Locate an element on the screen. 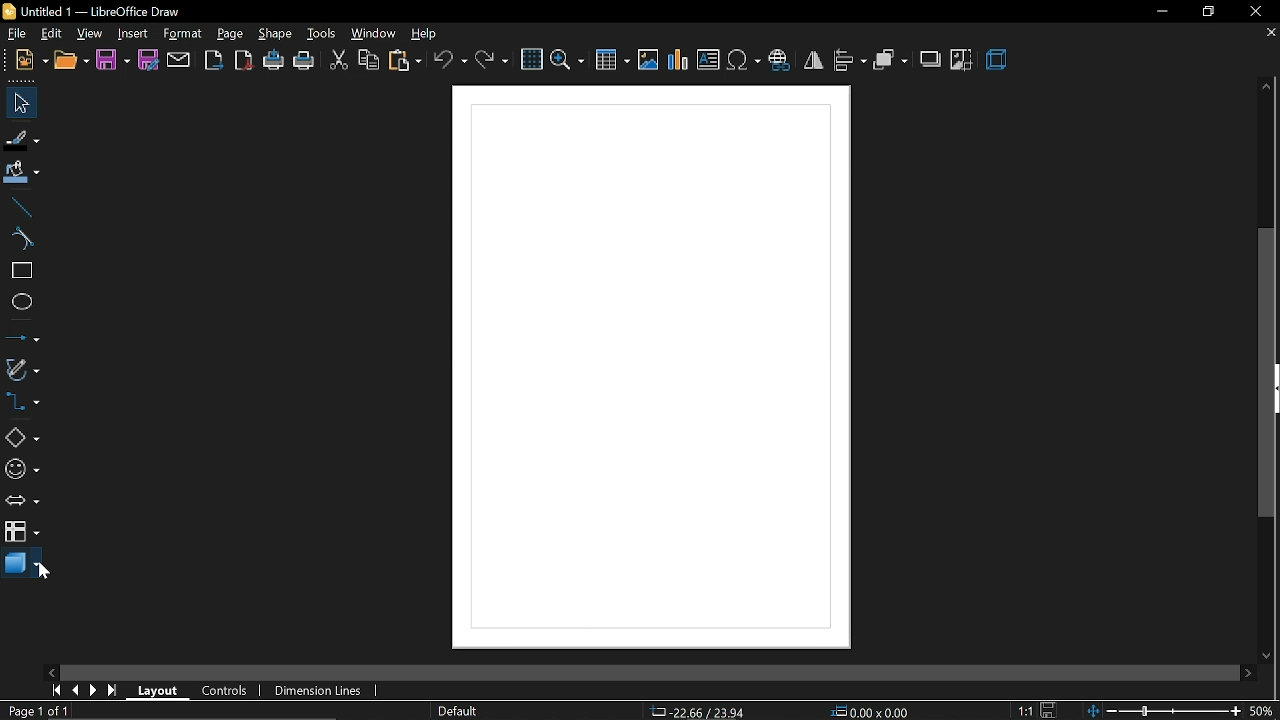  file is located at coordinates (15, 33).